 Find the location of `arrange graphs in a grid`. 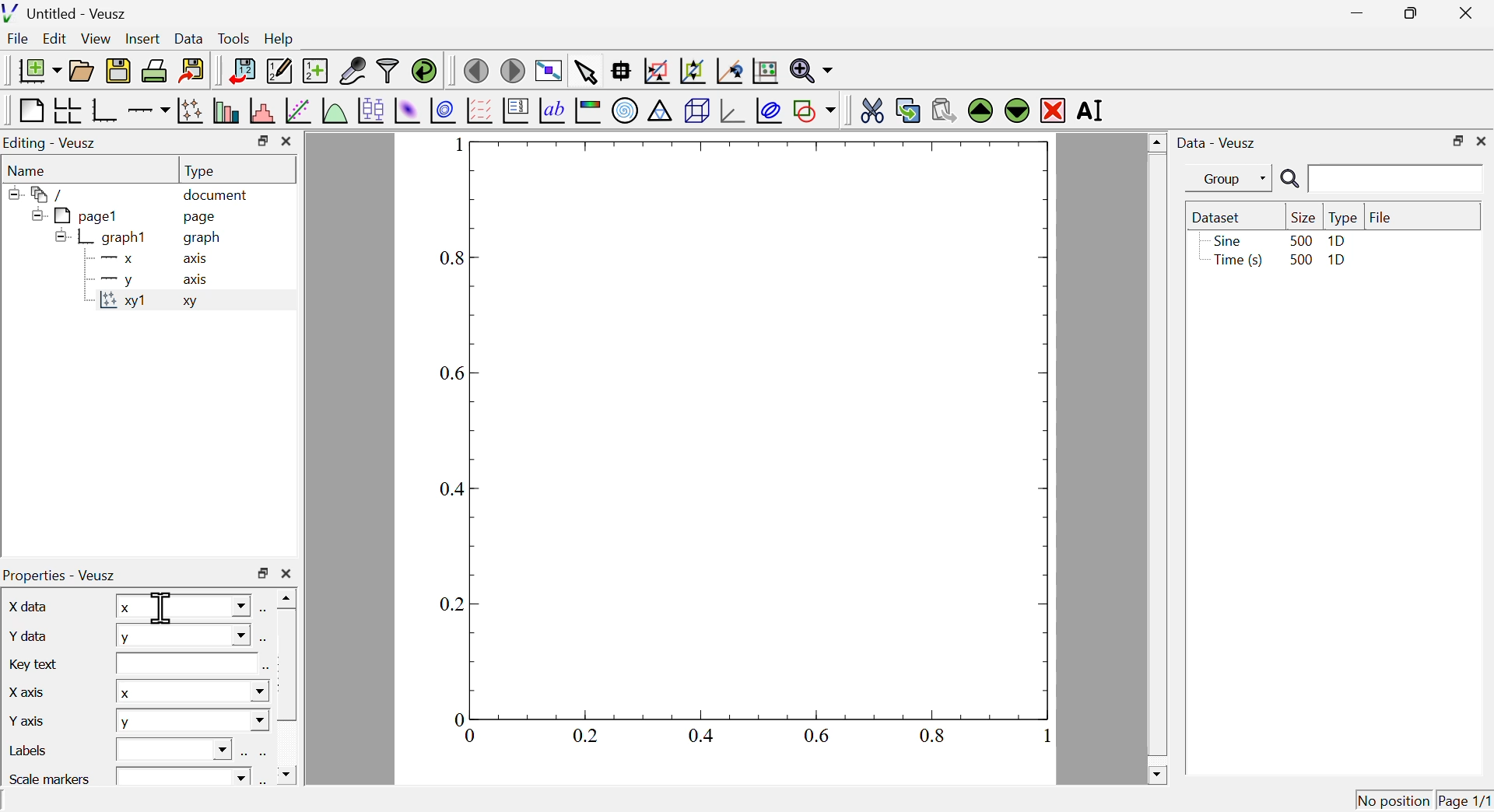

arrange graphs in a grid is located at coordinates (67, 111).